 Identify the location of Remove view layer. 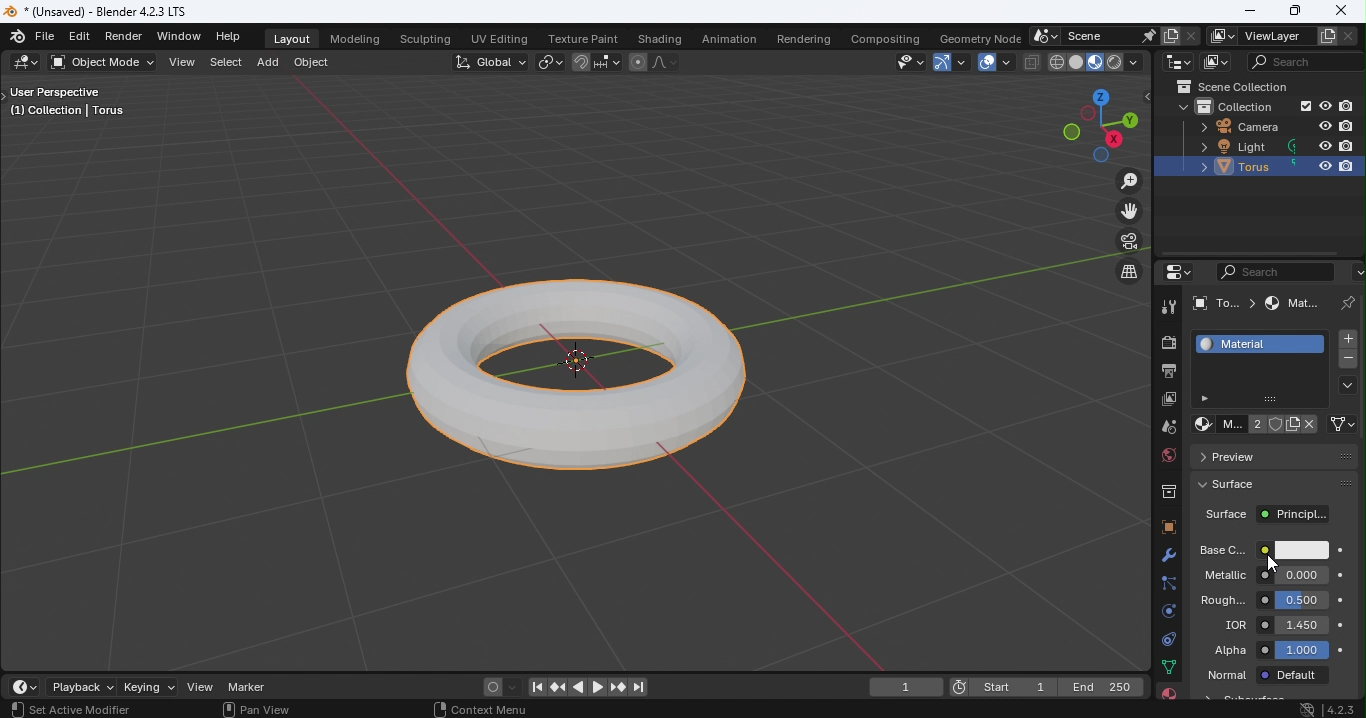
(1352, 36).